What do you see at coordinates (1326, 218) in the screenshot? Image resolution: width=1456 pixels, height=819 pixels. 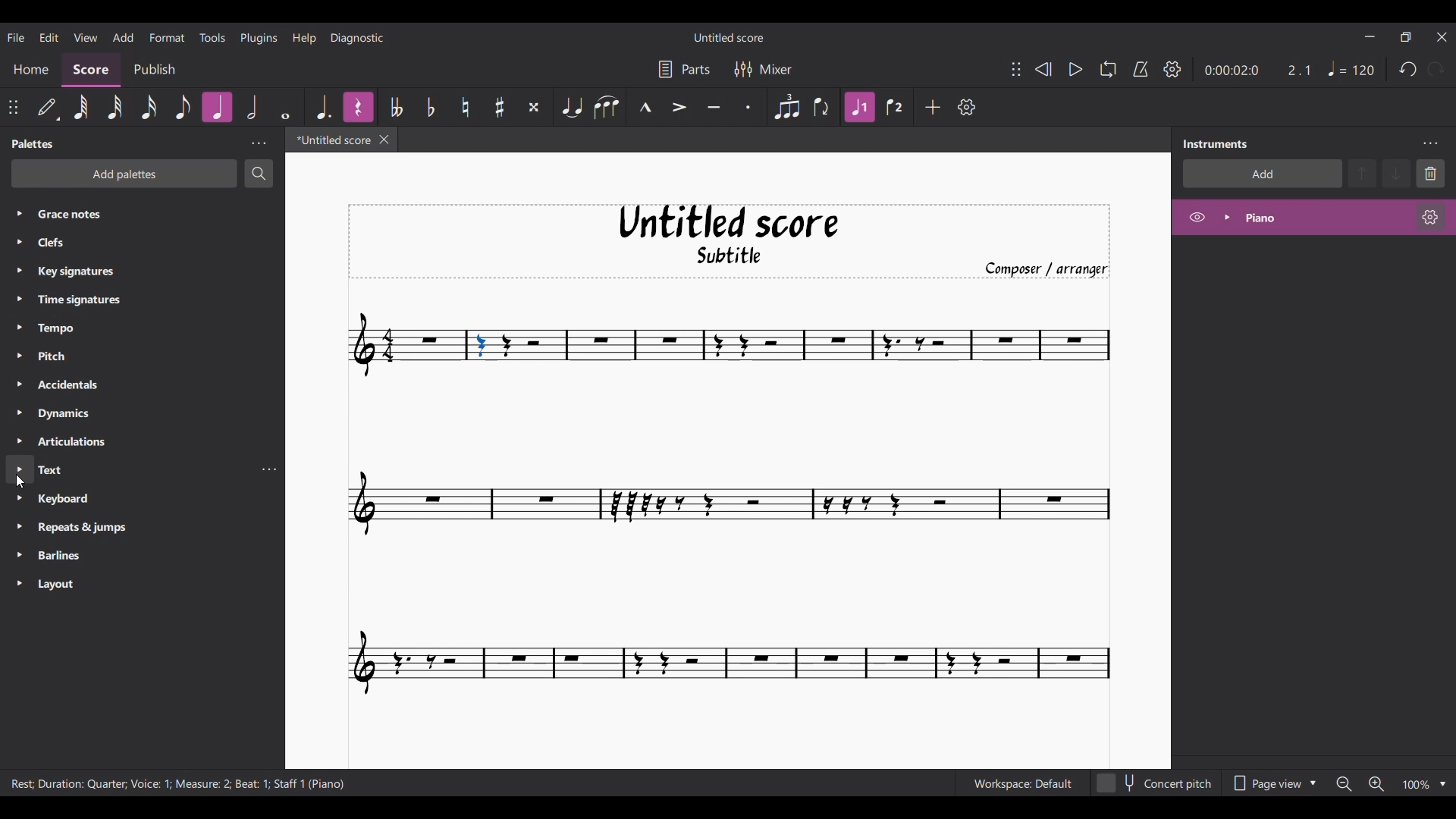 I see `Current instrument, highlighted` at bounding box center [1326, 218].